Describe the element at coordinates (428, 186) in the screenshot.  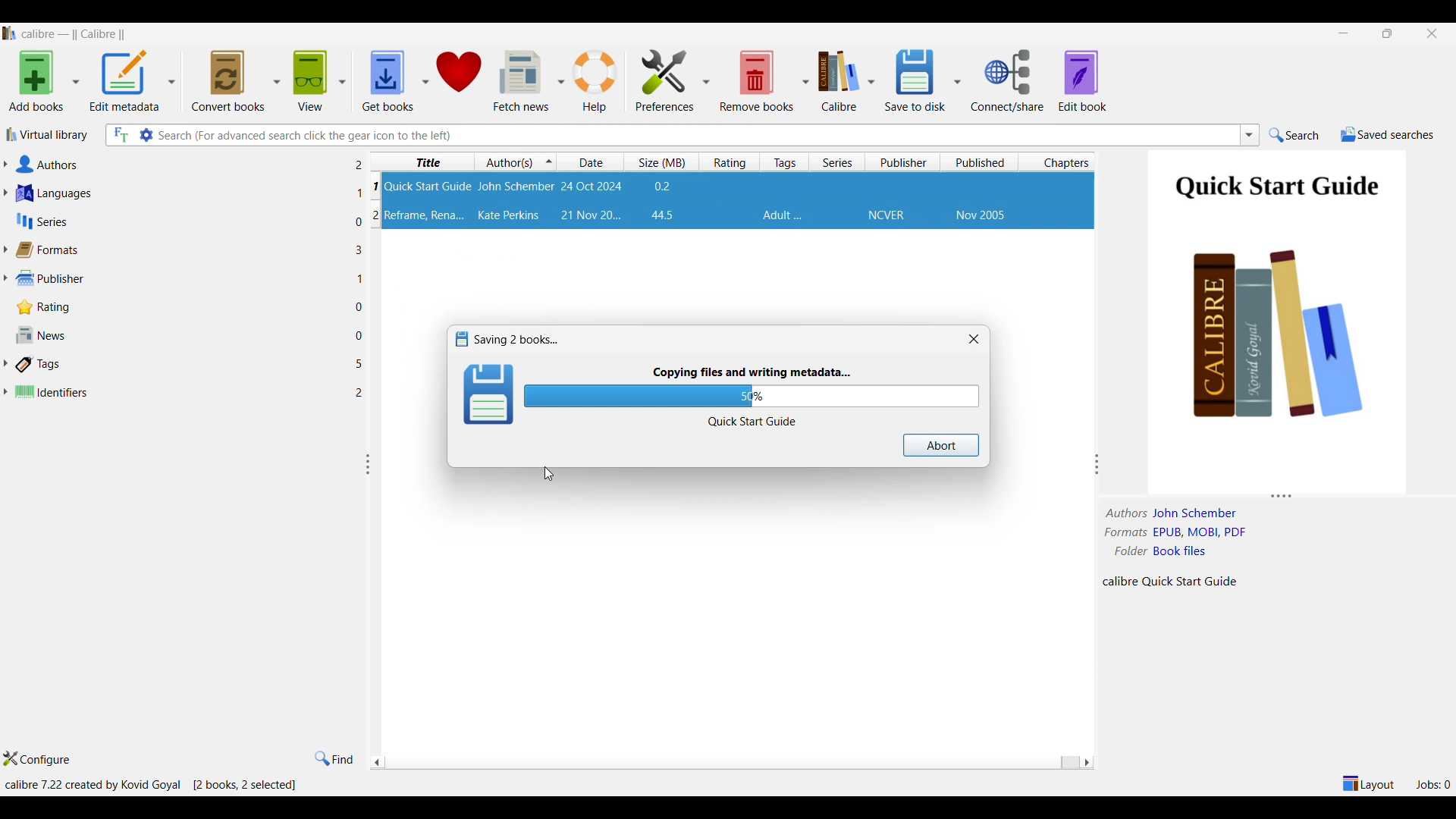
I see `Title` at that location.